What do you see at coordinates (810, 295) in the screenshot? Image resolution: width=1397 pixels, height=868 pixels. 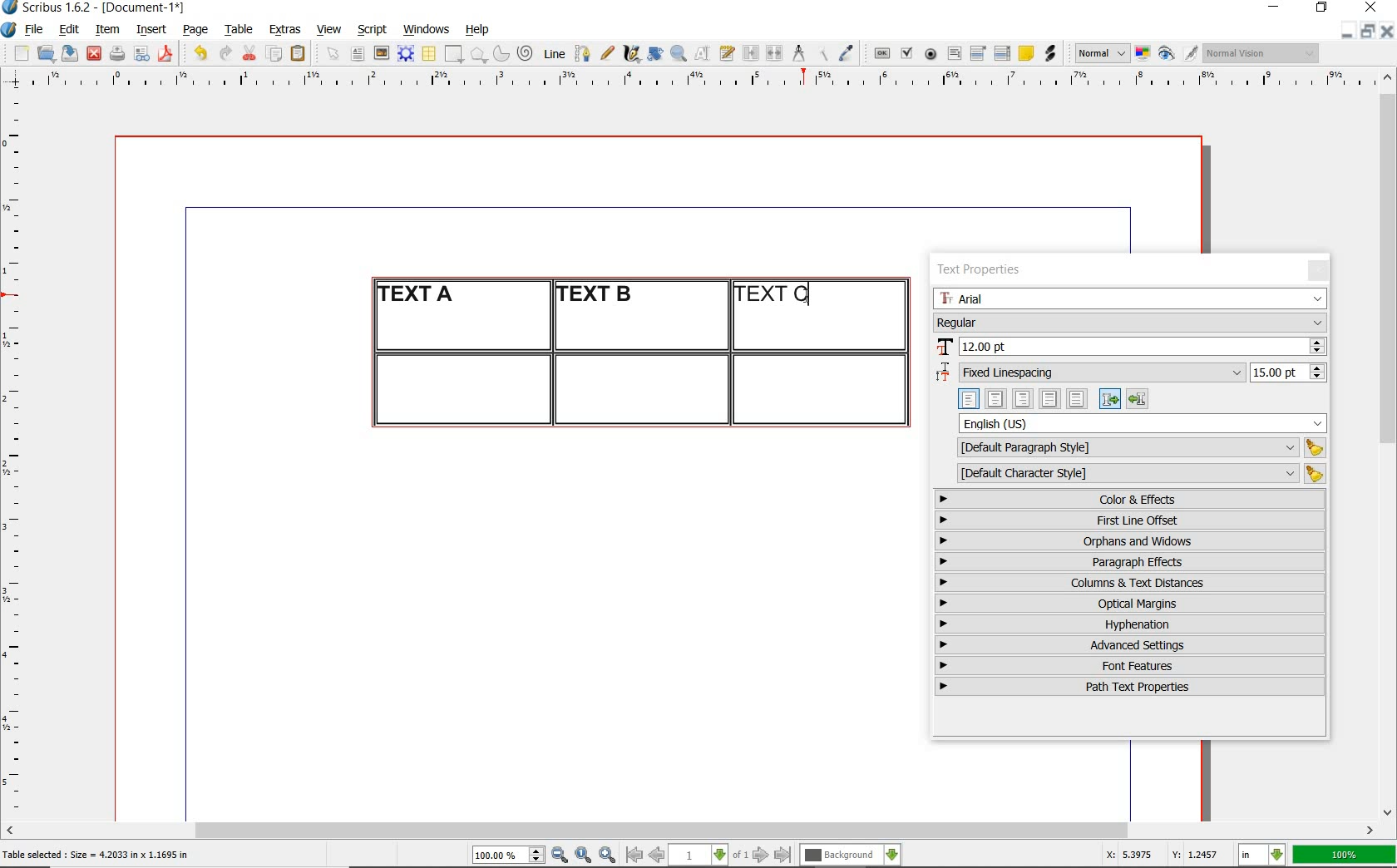 I see `editor` at bounding box center [810, 295].